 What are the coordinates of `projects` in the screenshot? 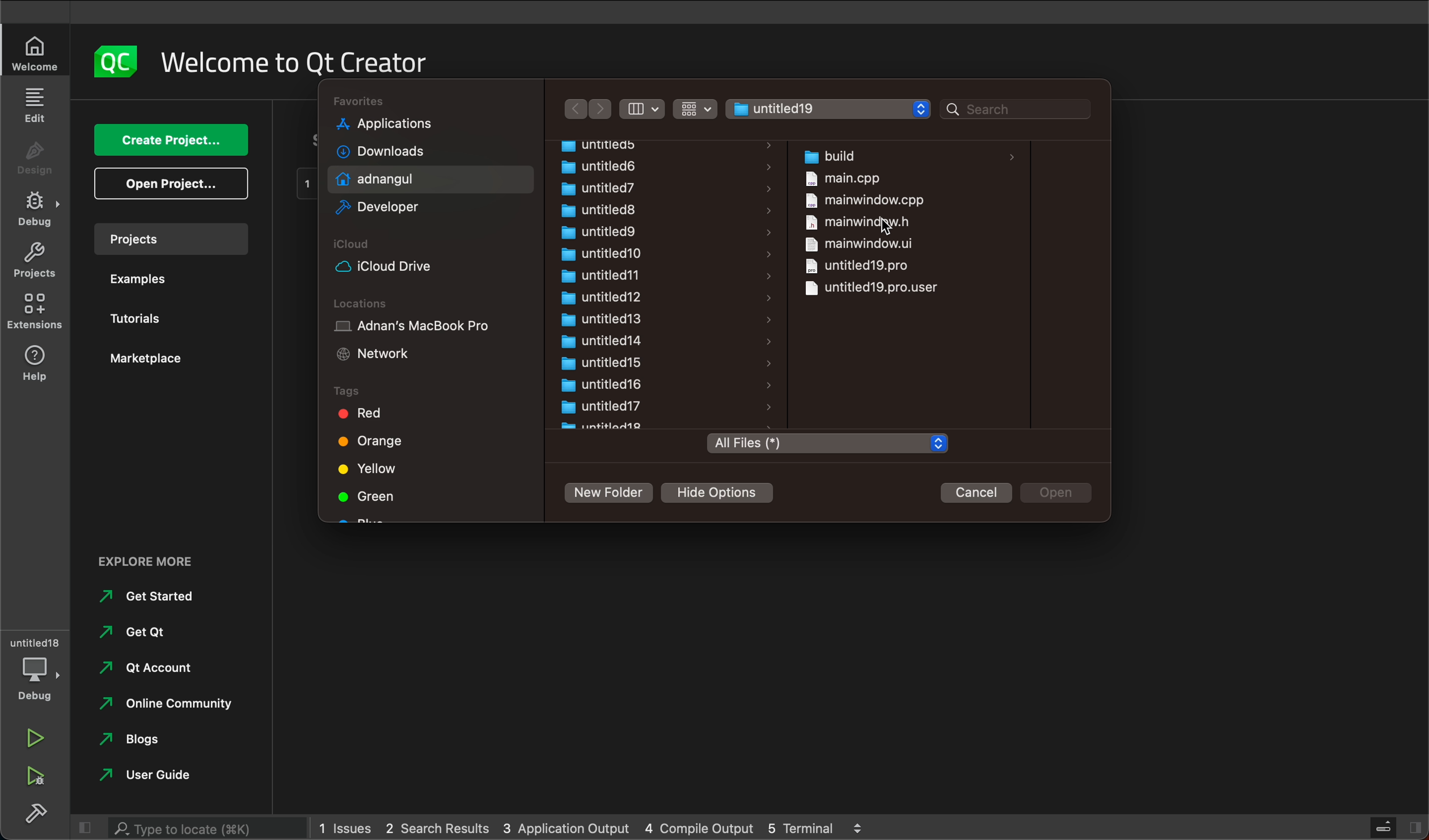 It's located at (35, 261).